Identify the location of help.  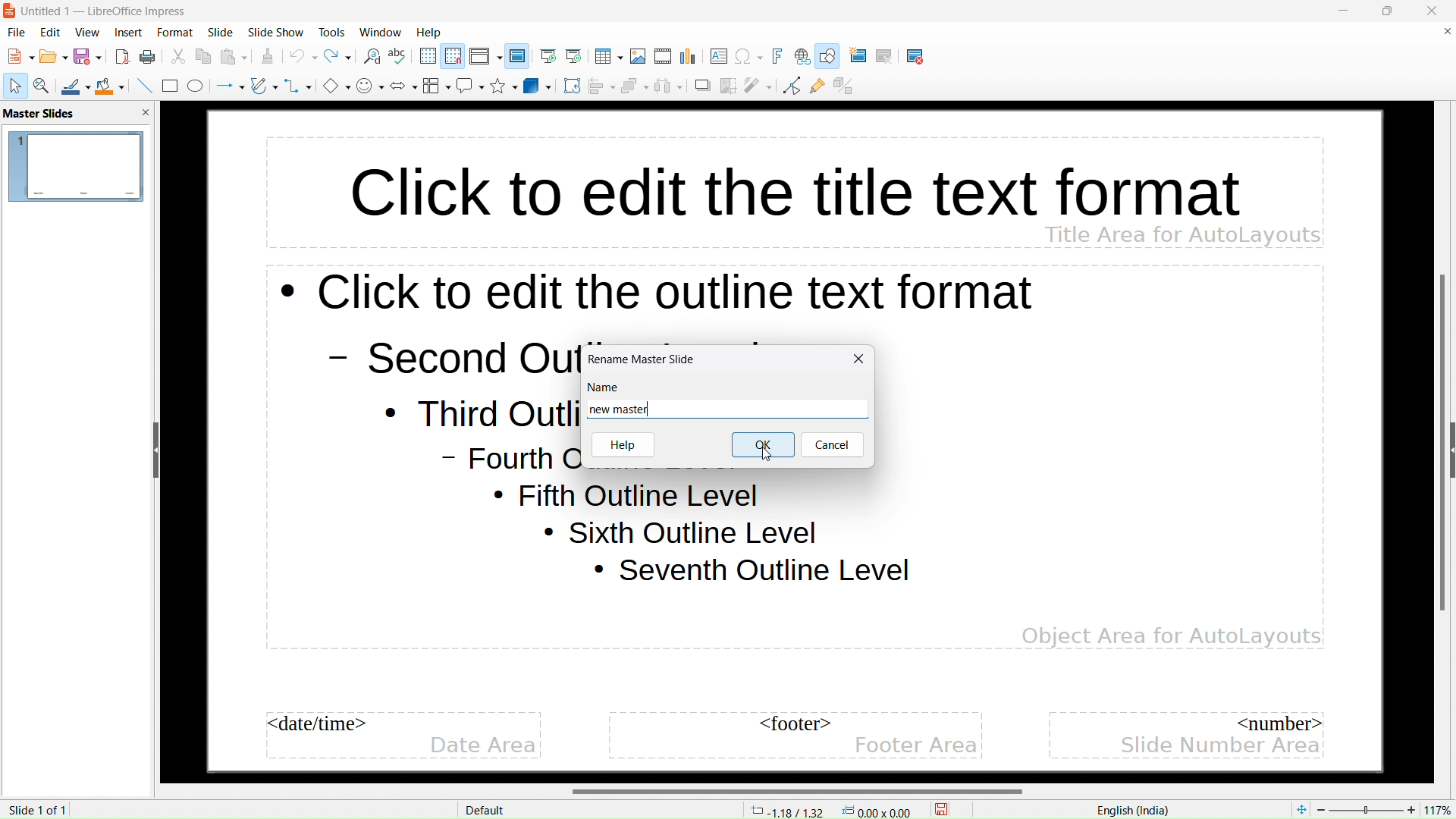
(623, 445).